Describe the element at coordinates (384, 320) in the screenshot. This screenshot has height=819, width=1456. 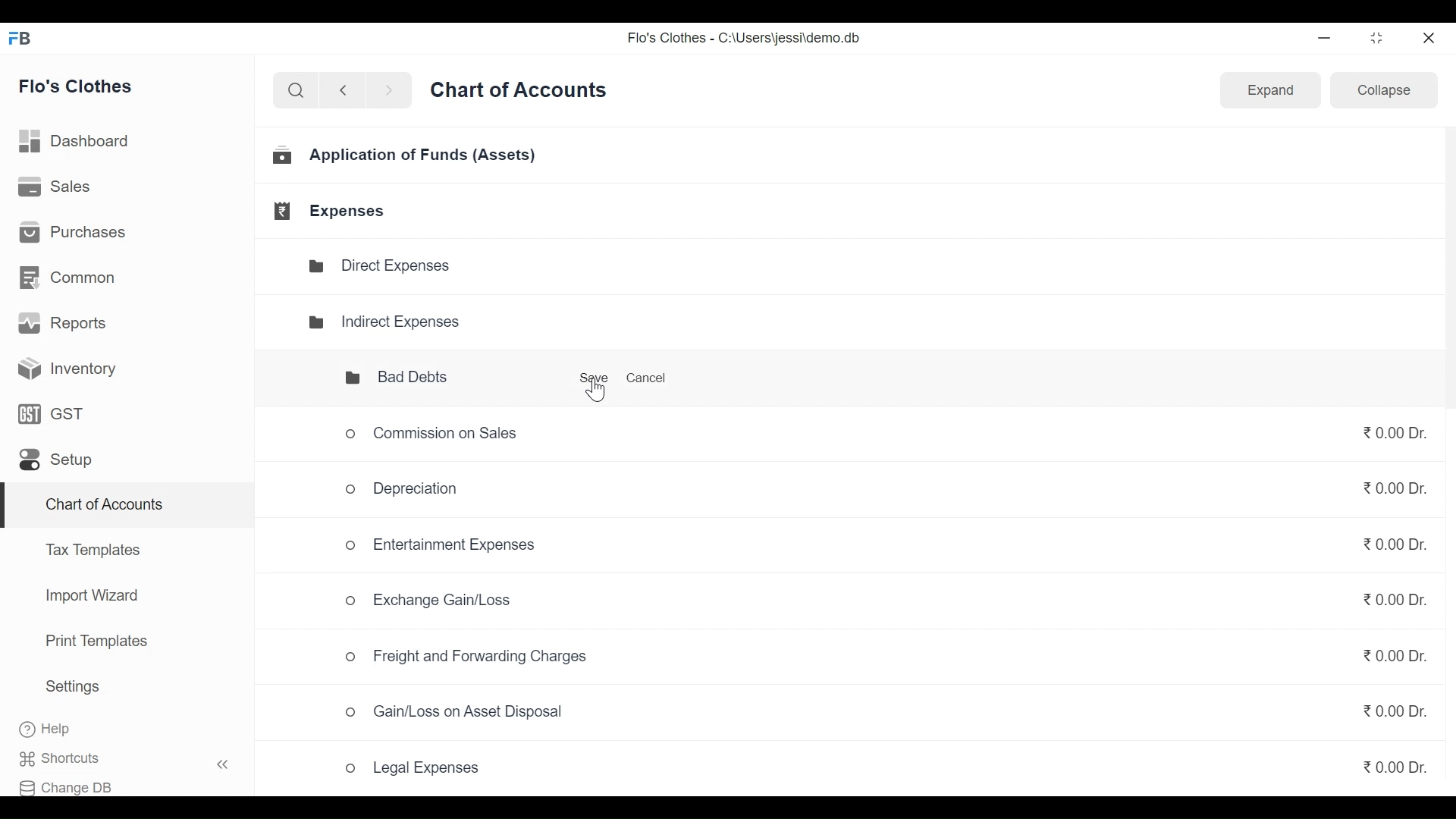
I see `Indirect Expenses` at that location.